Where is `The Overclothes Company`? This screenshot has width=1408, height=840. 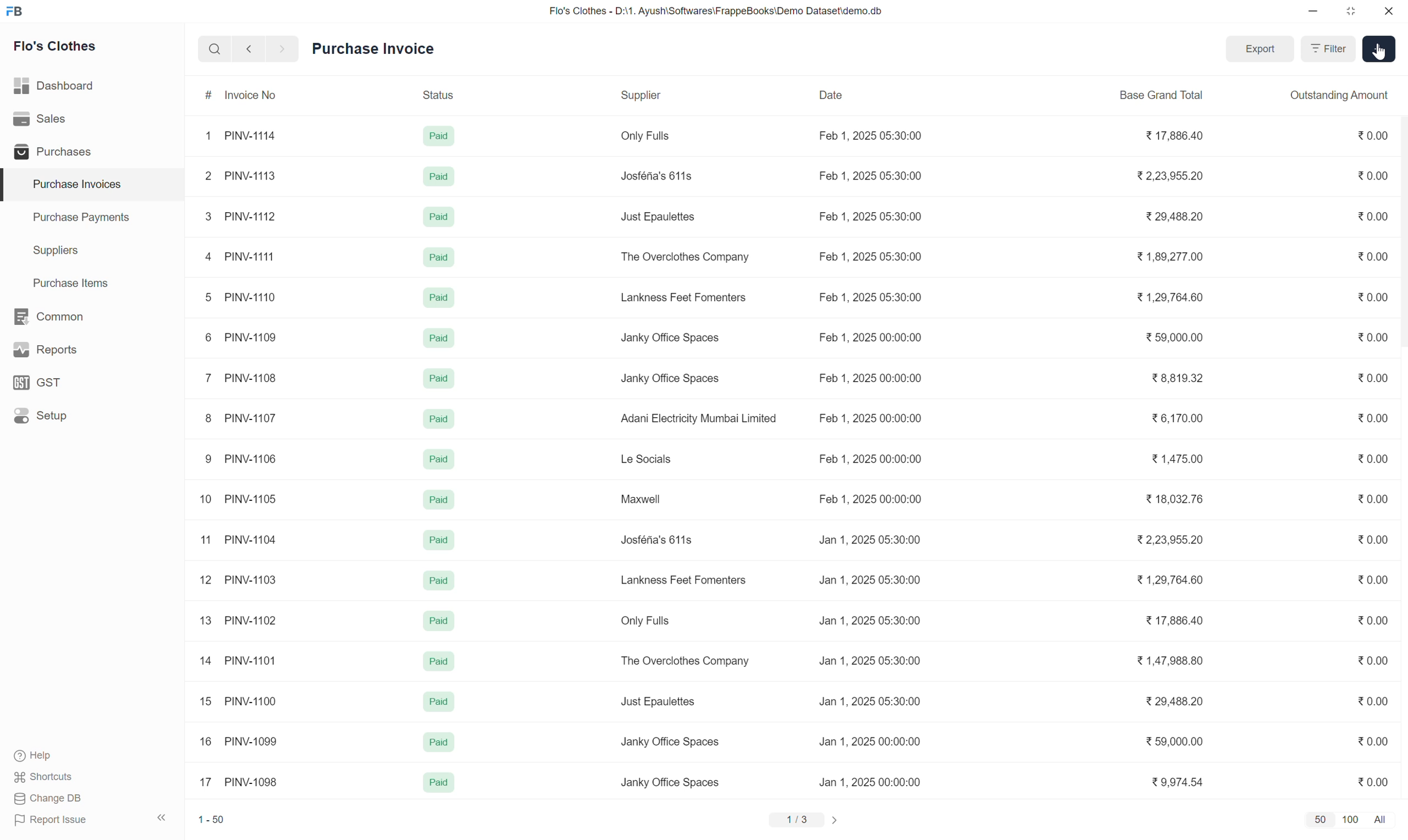 The Overclothes Company is located at coordinates (684, 662).